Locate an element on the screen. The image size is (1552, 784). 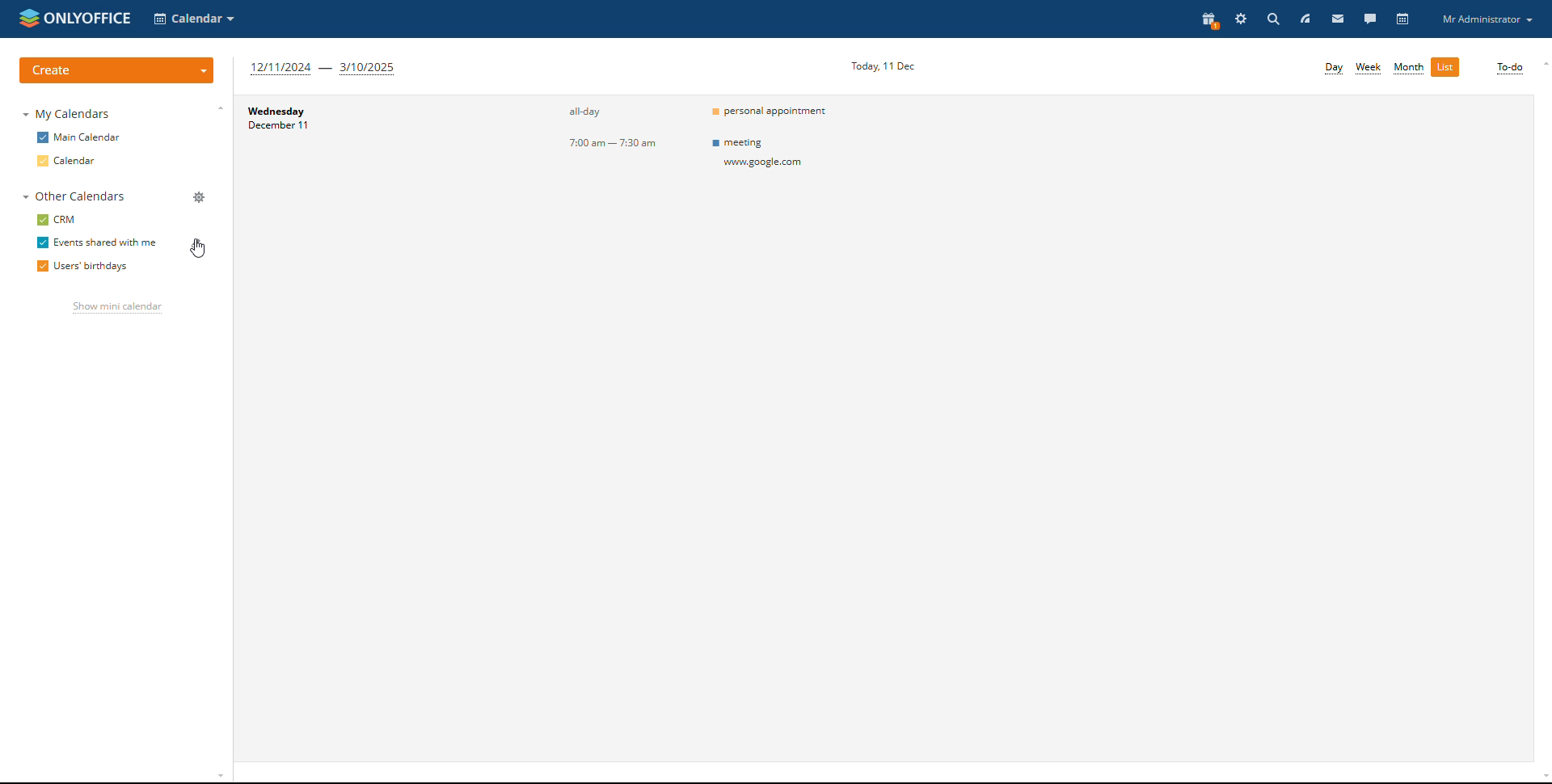
edit calendar is located at coordinates (198, 241).